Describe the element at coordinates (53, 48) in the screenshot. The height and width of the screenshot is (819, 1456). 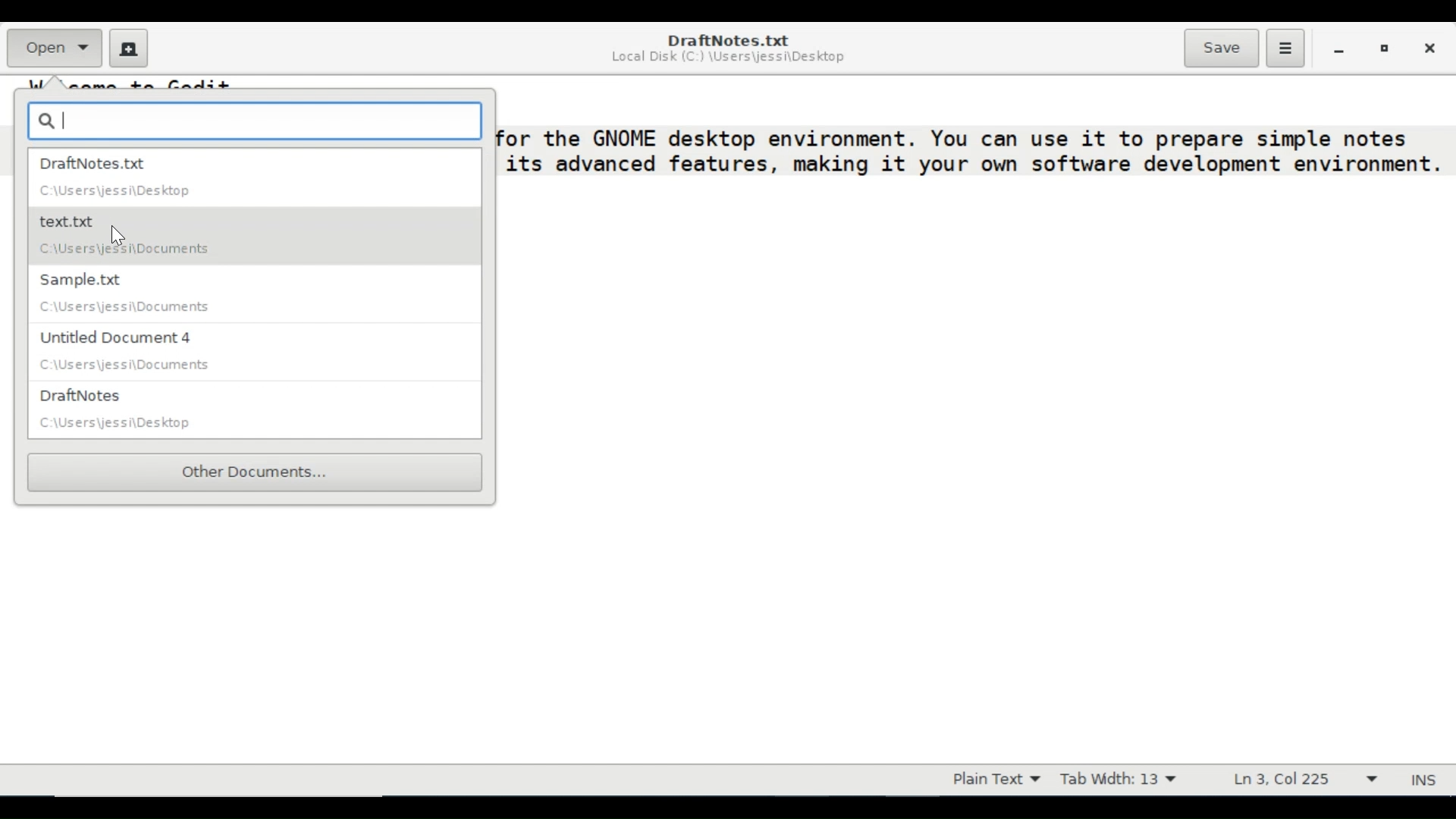
I see `Open` at that location.